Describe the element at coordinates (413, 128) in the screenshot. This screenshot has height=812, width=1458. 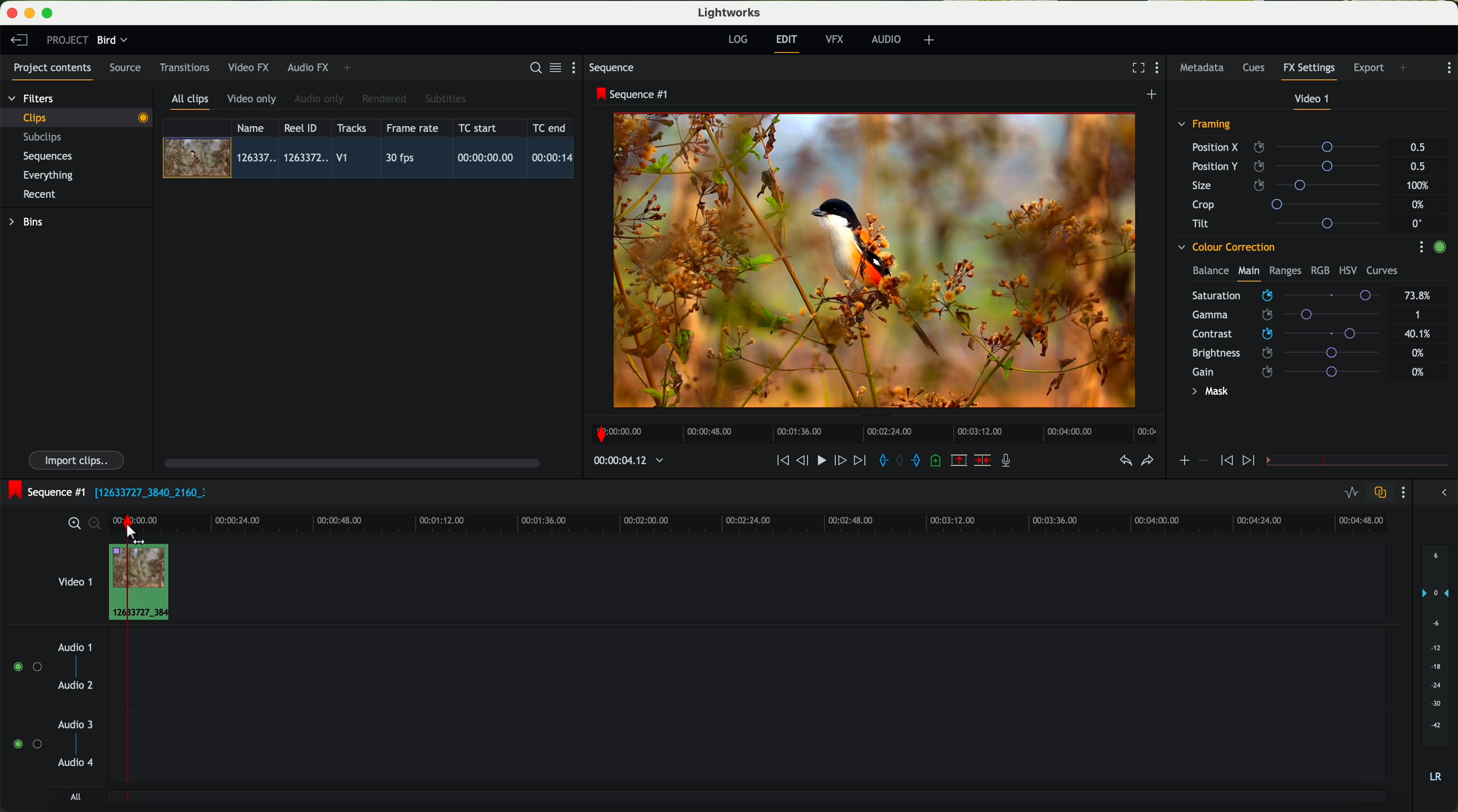
I see `frame rate` at that location.